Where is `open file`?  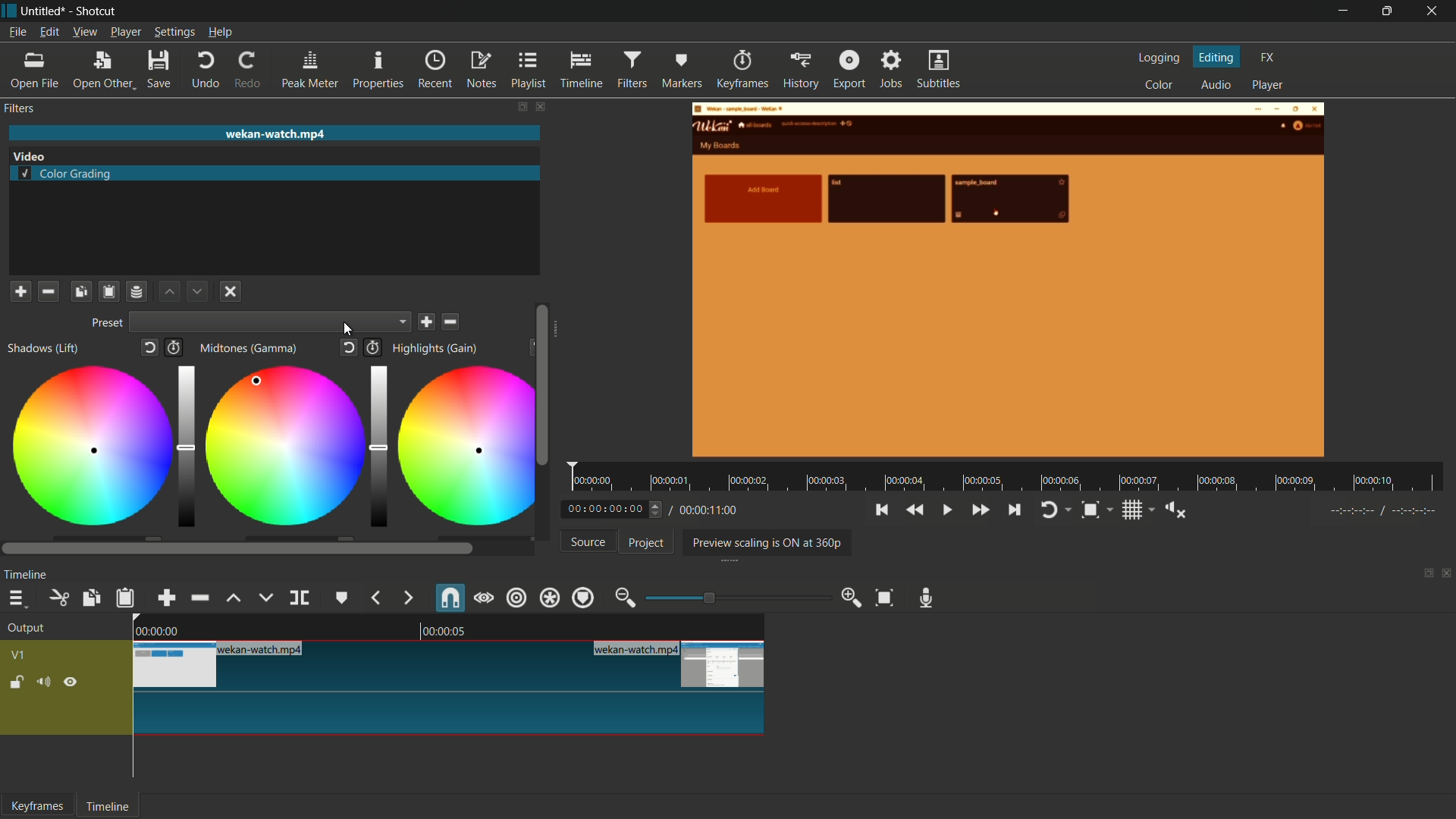
open file is located at coordinates (30, 71).